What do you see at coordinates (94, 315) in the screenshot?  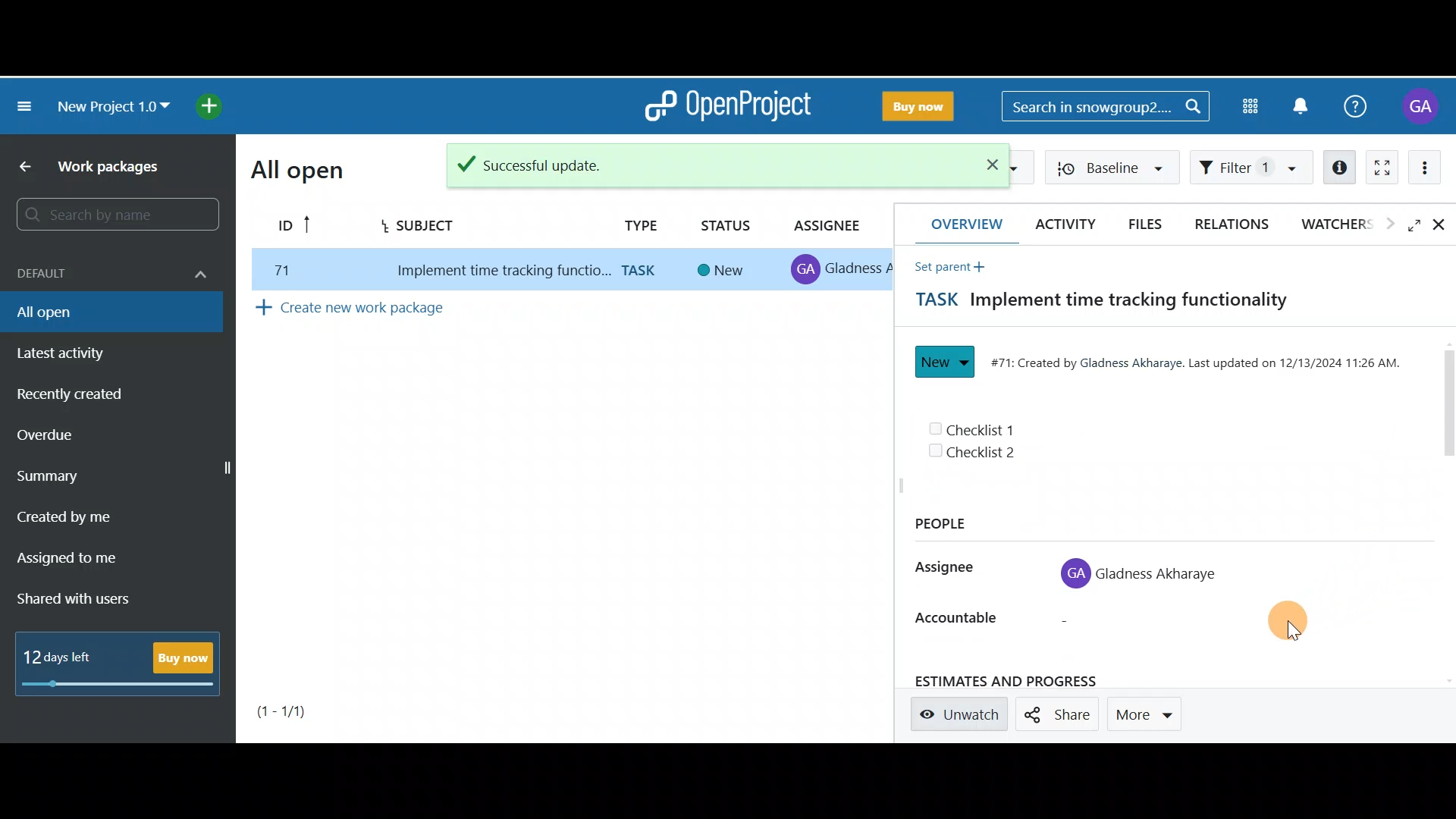 I see `All open` at bounding box center [94, 315].